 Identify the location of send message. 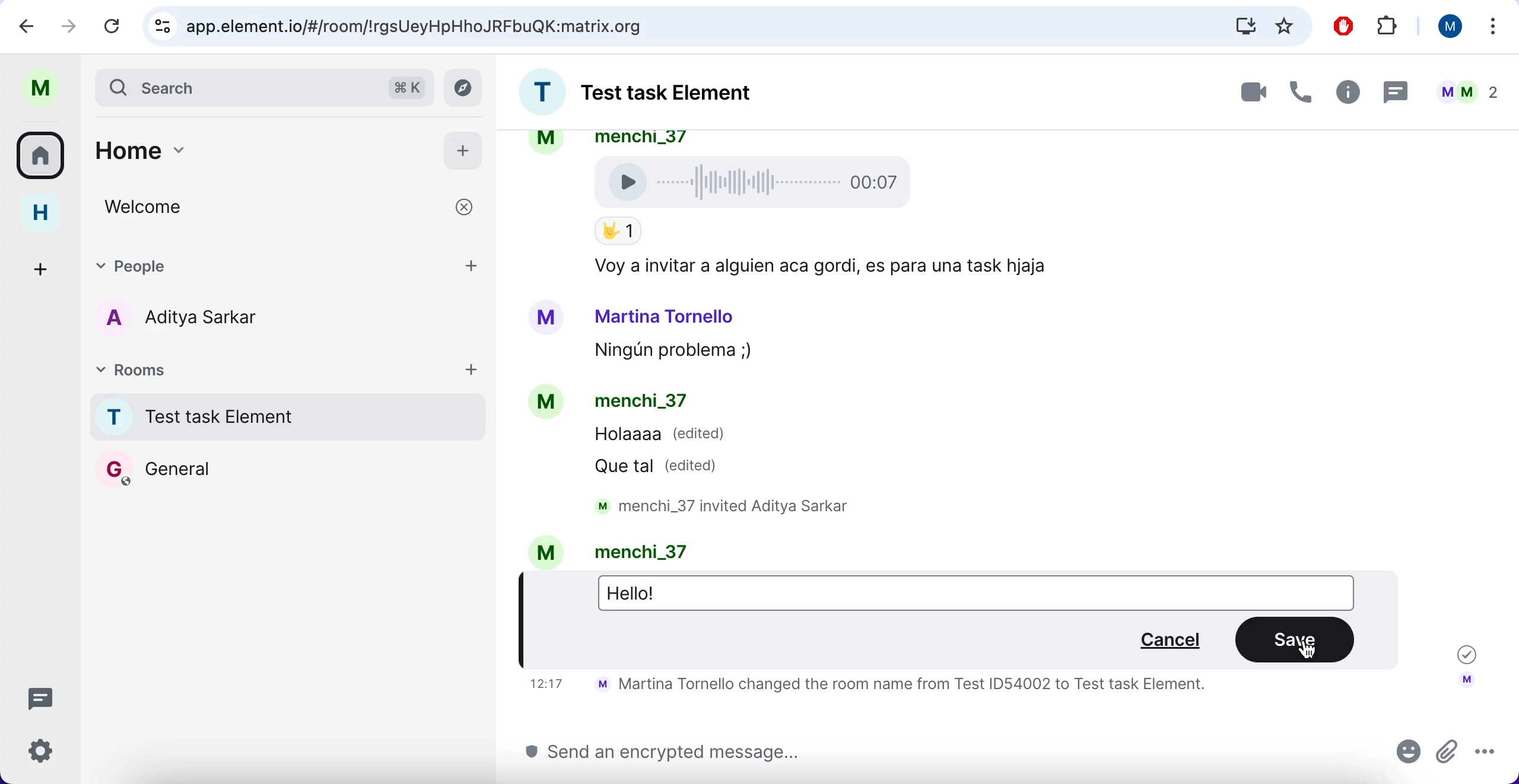
(946, 757).